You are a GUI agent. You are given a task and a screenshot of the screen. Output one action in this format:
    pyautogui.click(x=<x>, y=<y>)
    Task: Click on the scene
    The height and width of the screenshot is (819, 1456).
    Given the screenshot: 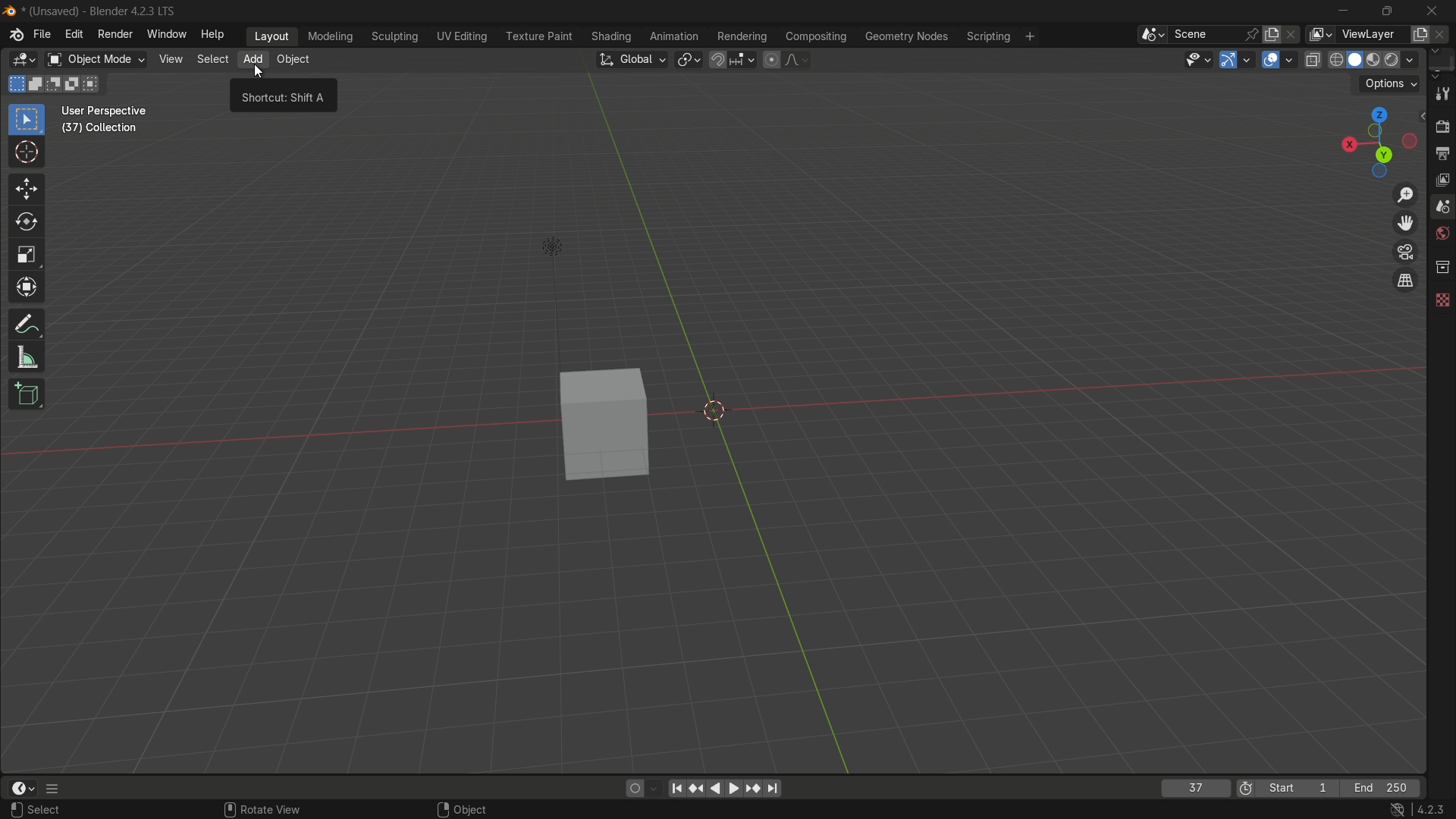 What is the action you would take?
    pyautogui.click(x=1441, y=208)
    